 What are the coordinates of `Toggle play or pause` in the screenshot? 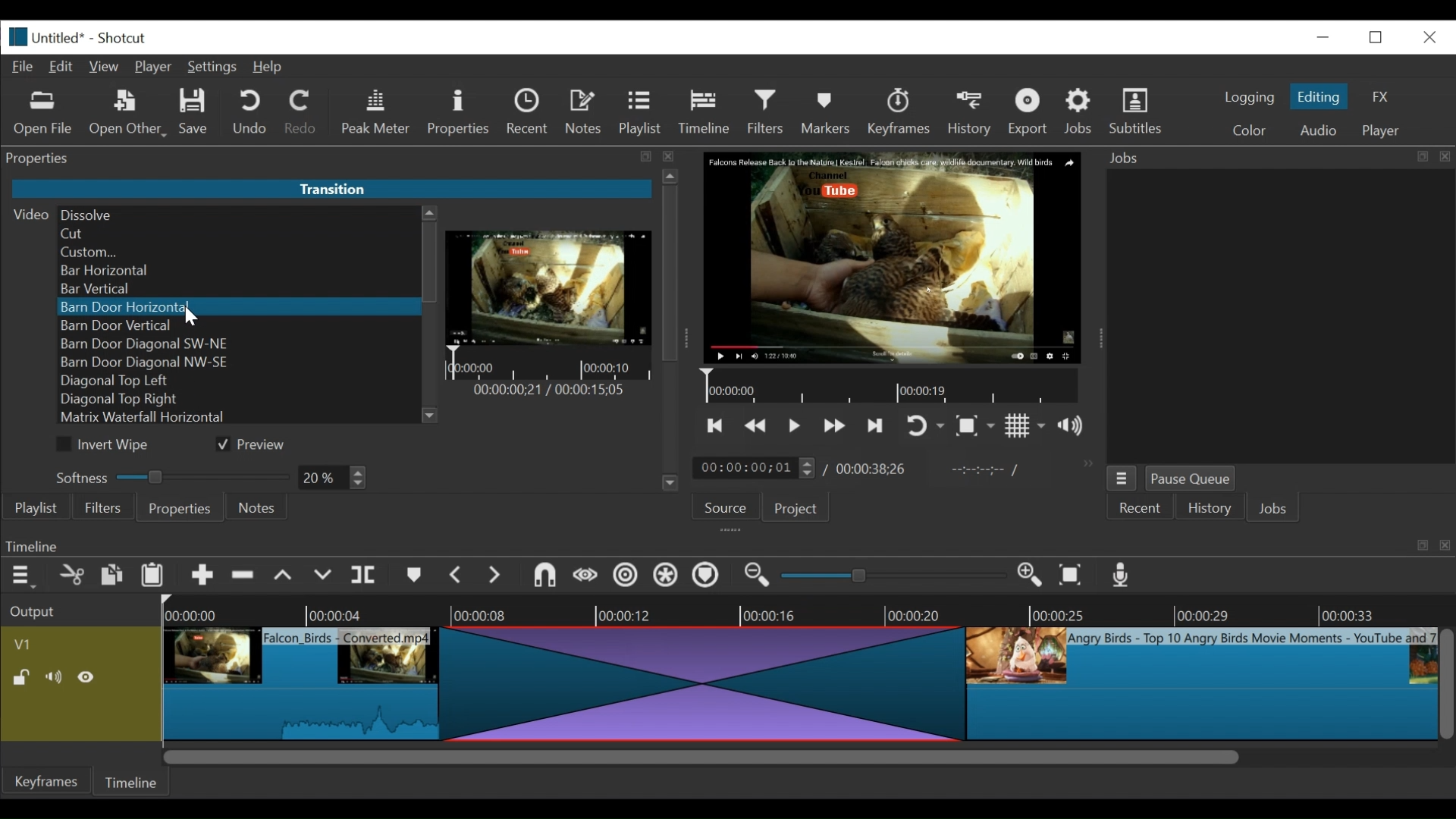 It's located at (795, 425).